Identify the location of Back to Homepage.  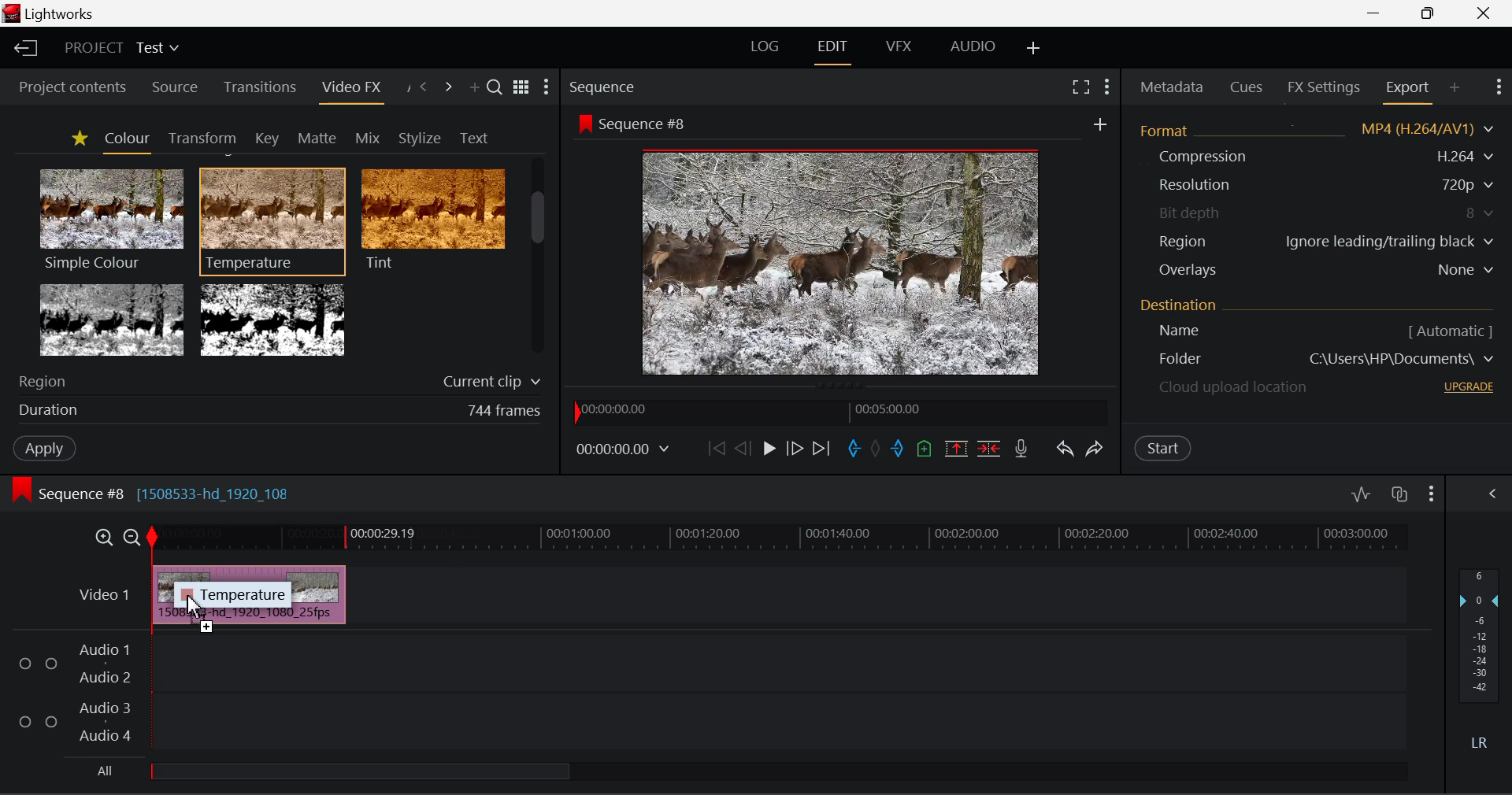
(24, 46).